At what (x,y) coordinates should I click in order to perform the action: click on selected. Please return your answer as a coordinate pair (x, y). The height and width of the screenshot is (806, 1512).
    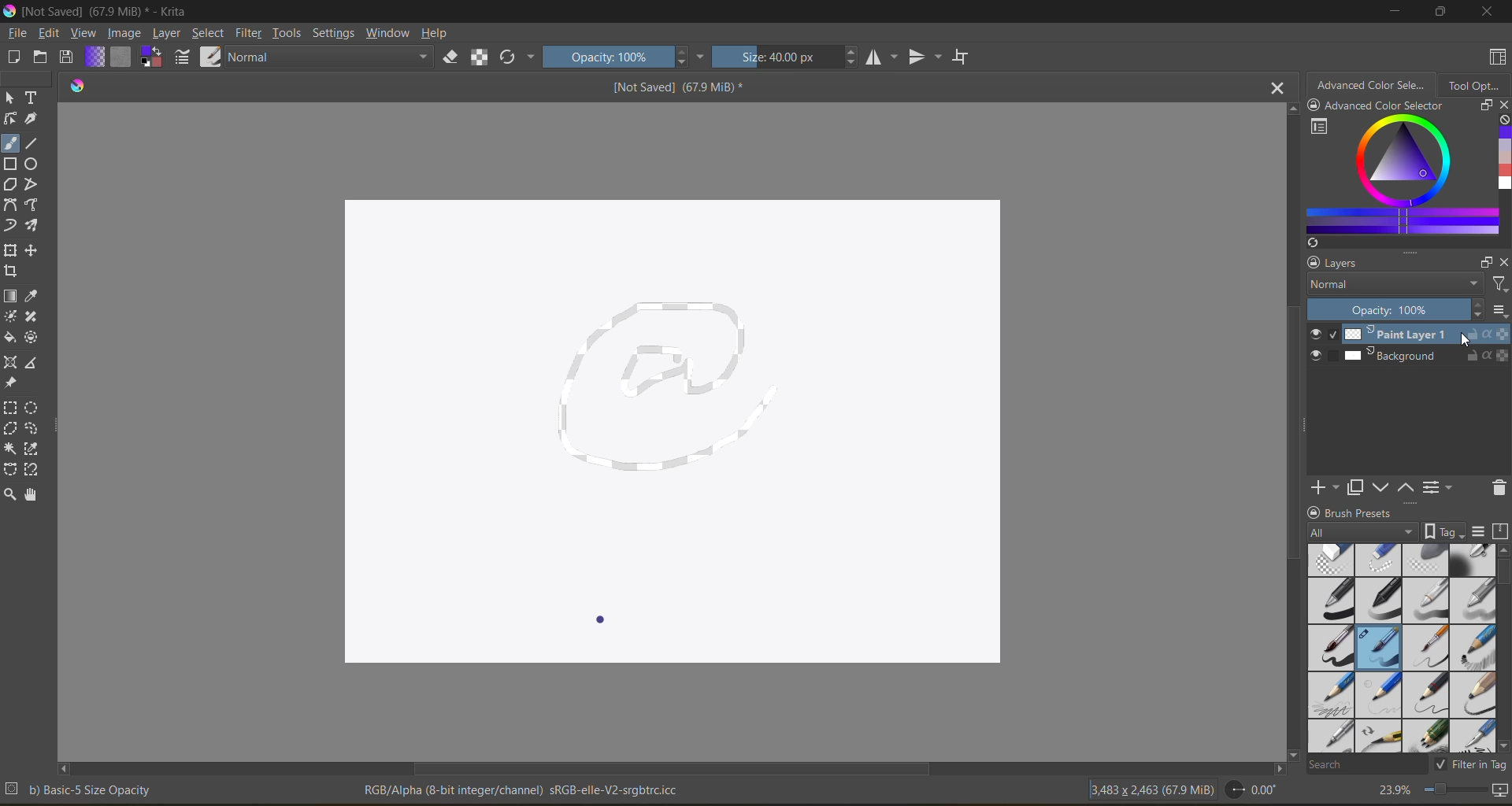
    Looking at the image, I should click on (1333, 334).